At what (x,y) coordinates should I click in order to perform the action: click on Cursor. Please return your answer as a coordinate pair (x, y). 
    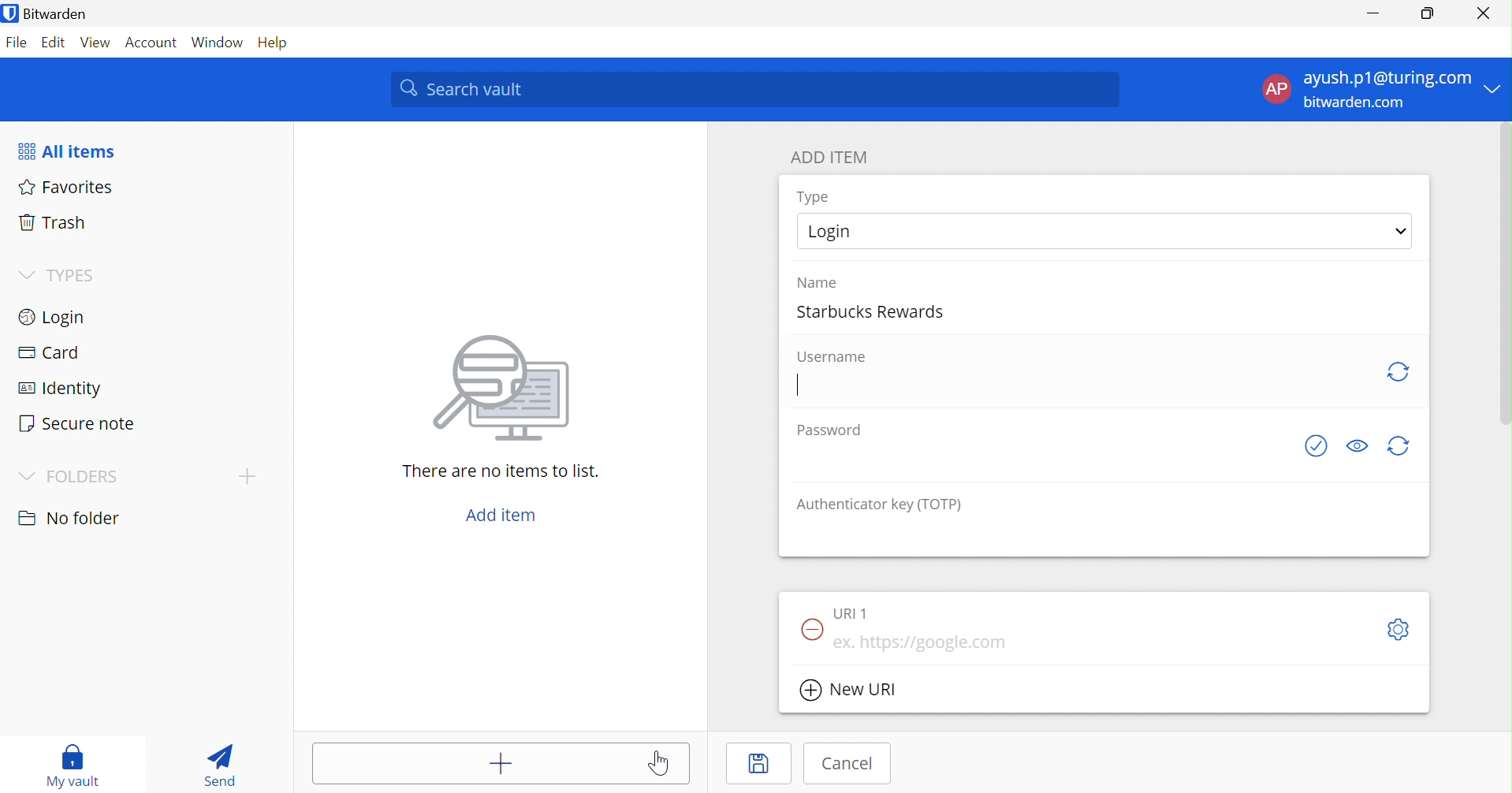
    Looking at the image, I should click on (662, 762).